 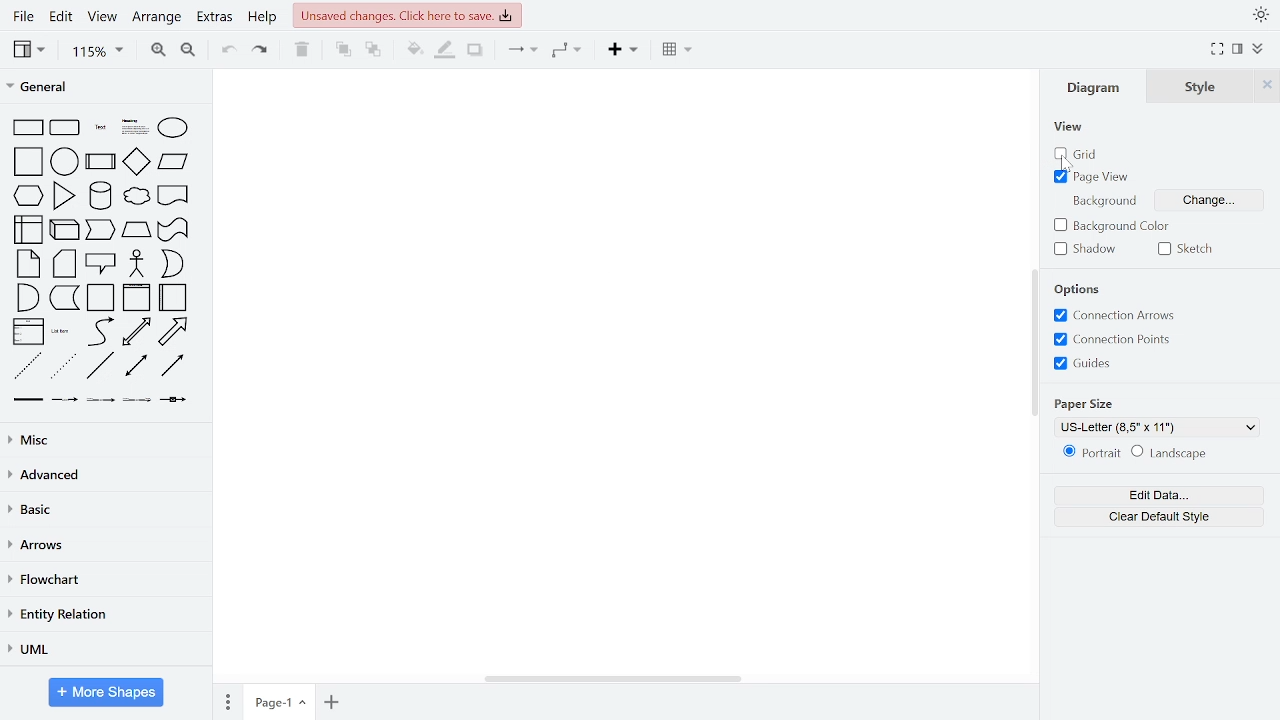 I want to click on to back, so click(x=373, y=50).